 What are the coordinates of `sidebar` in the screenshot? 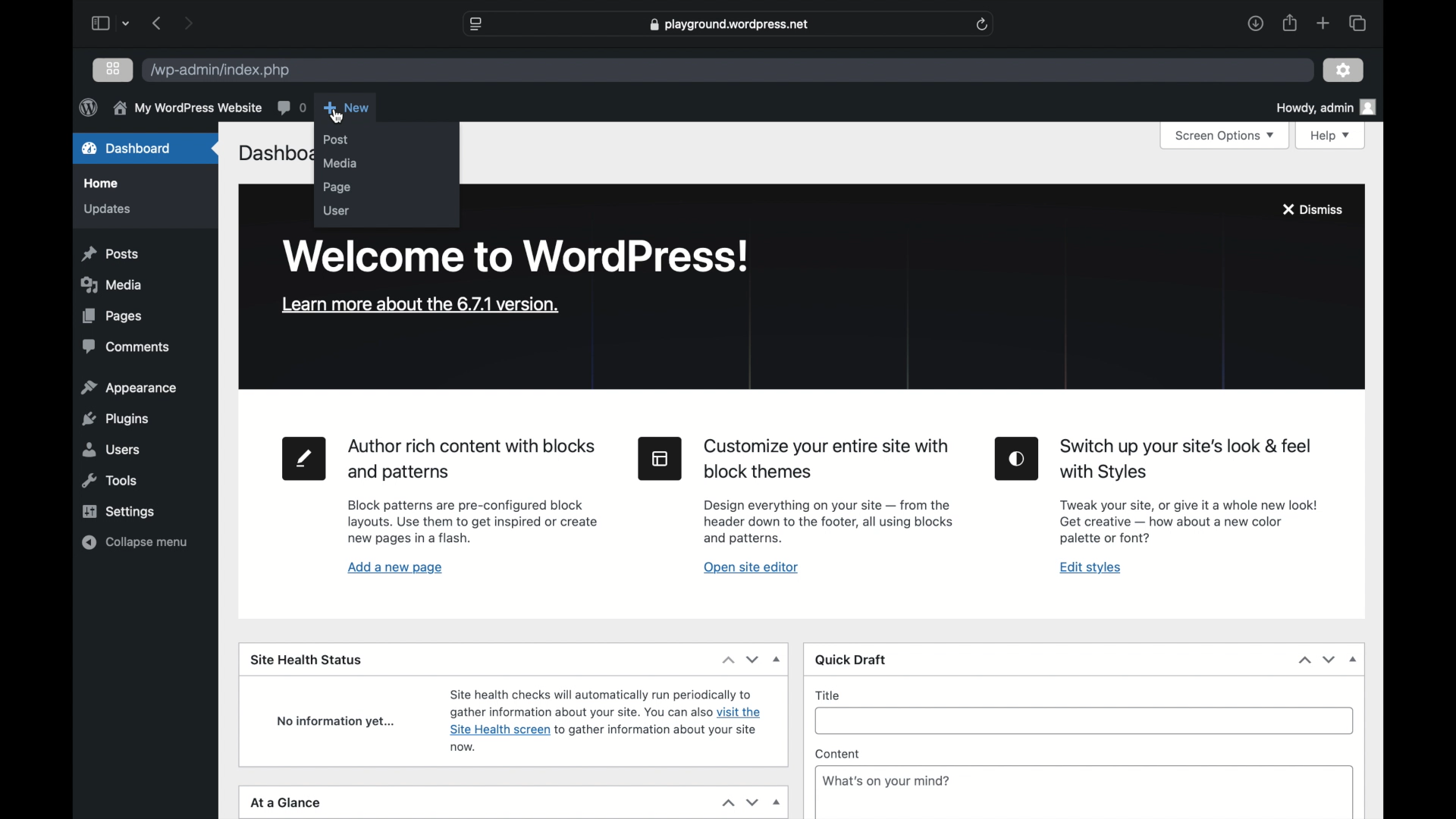 It's located at (99, 23).